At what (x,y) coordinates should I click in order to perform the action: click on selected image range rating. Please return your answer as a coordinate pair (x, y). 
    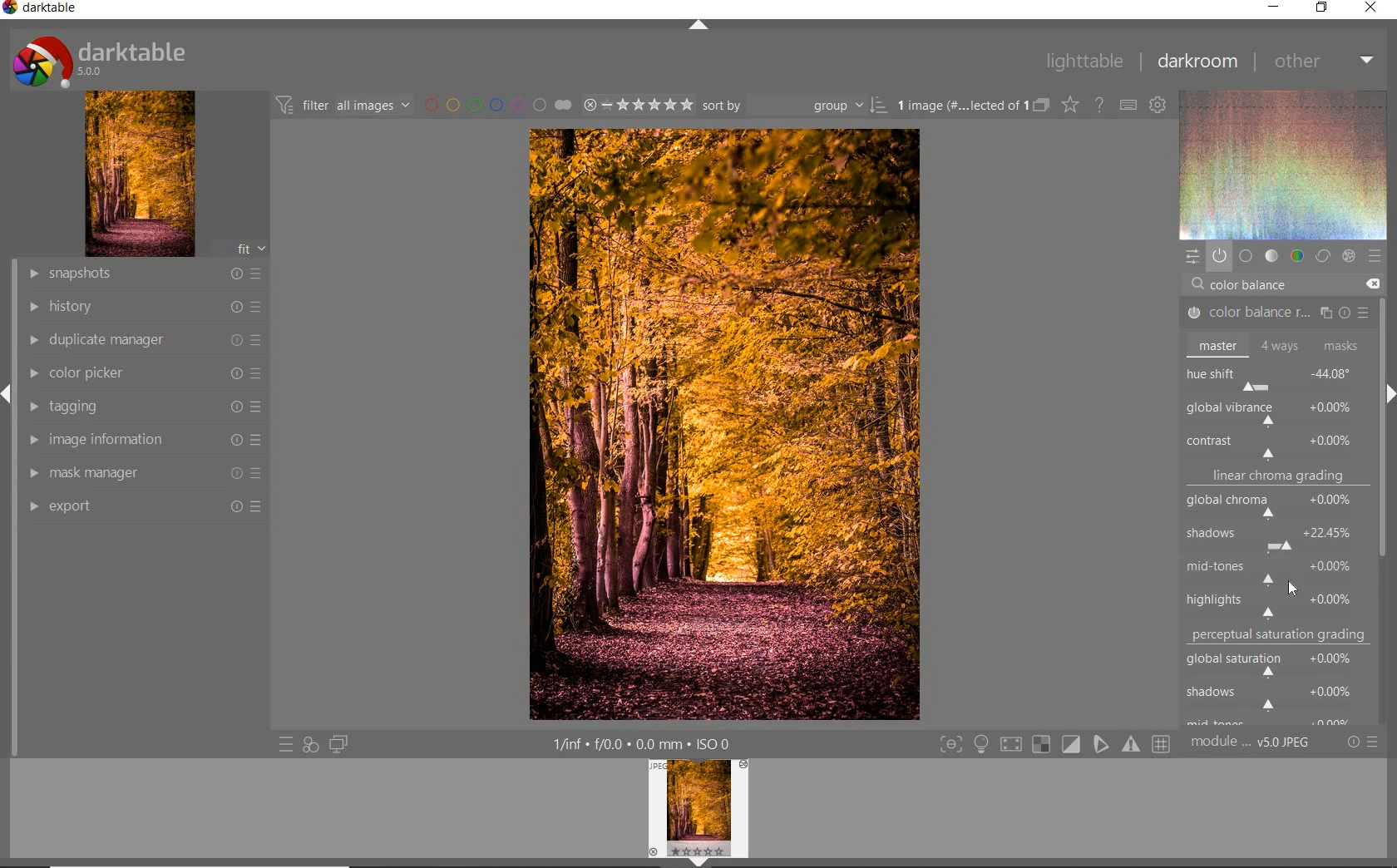
    Looking at the image, I should click on (638, 106).